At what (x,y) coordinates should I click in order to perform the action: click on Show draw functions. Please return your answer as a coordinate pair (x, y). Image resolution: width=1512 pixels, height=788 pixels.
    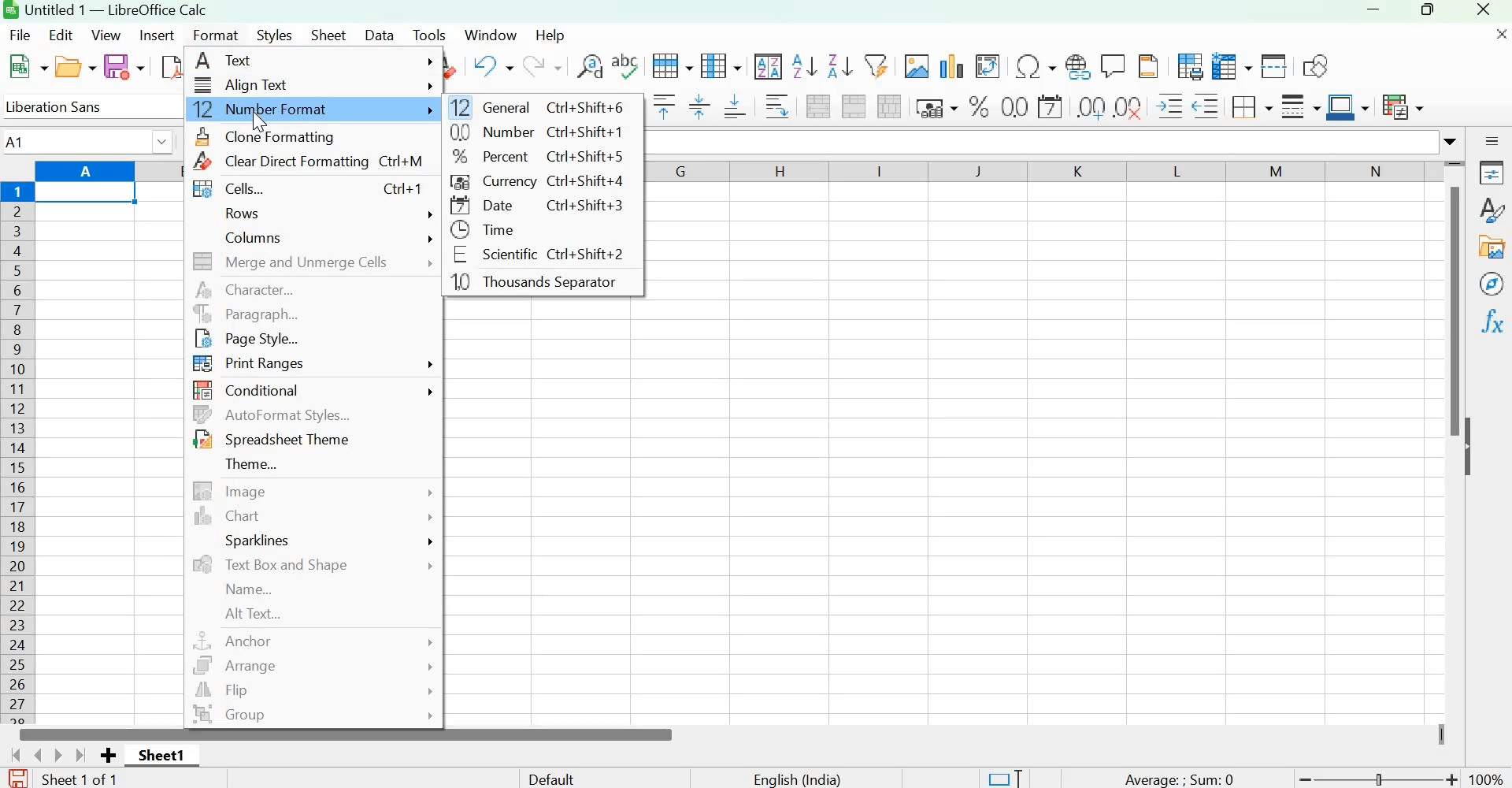
    Looking at the image, I should click on (1314, 64).